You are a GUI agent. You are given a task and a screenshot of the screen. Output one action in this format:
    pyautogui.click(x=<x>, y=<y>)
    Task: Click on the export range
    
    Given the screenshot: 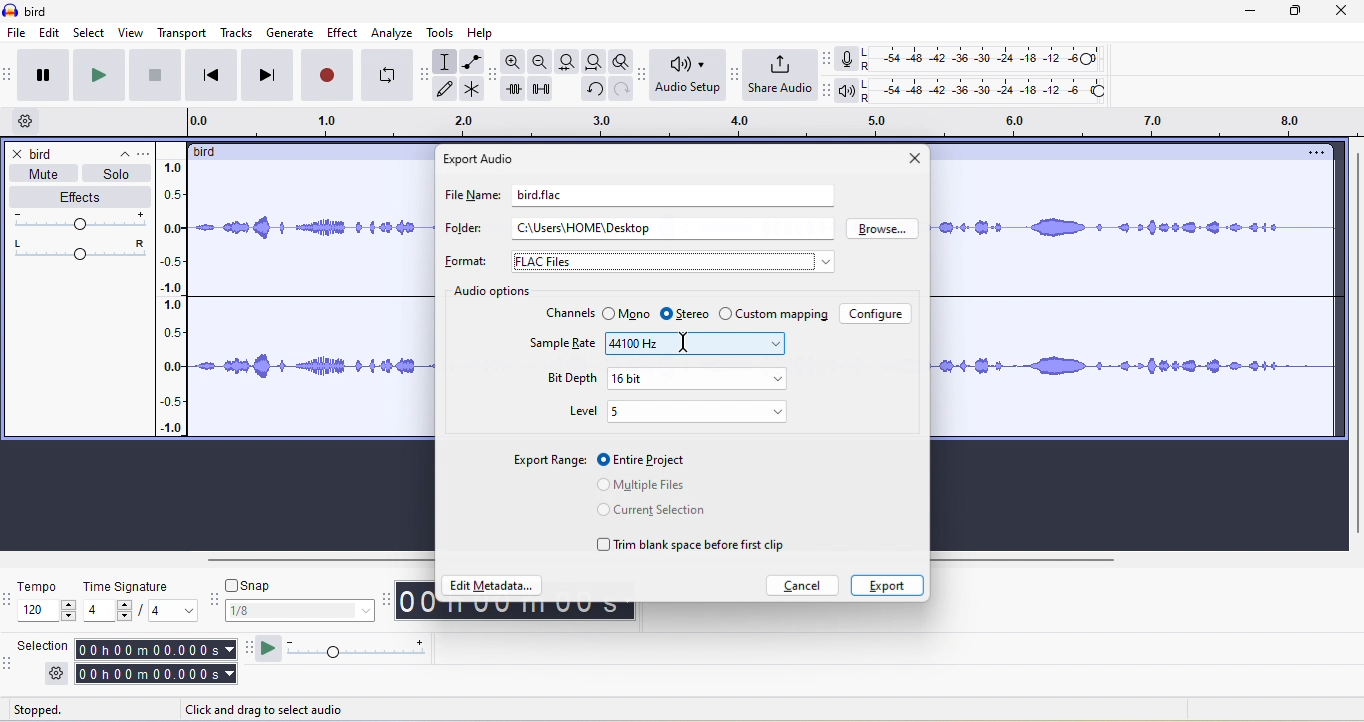 What is the action you would take?
    pyautogui.click(x=549, y=460)
    